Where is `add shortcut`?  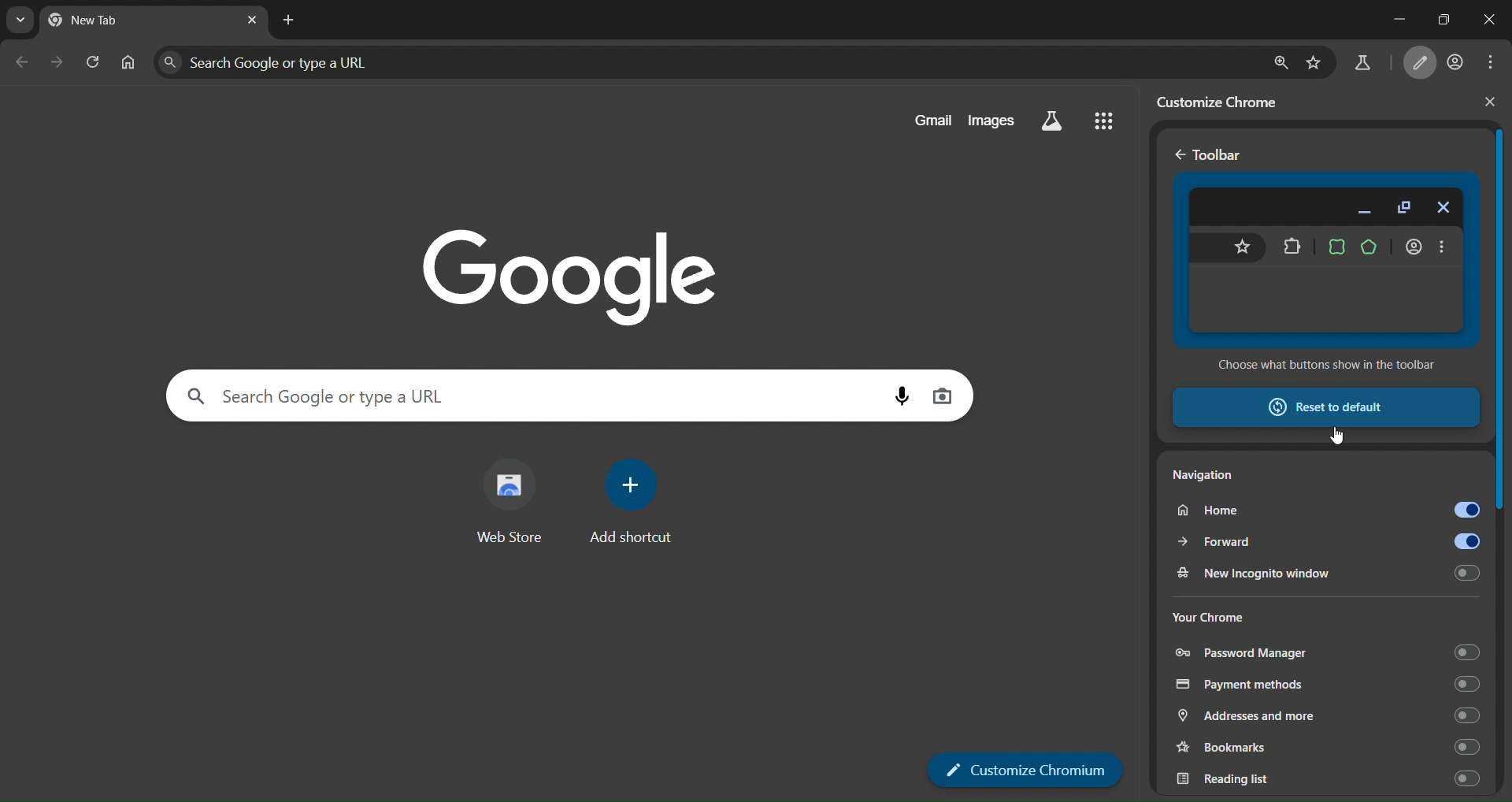
add shortcut is located at coordinates (631, 502).